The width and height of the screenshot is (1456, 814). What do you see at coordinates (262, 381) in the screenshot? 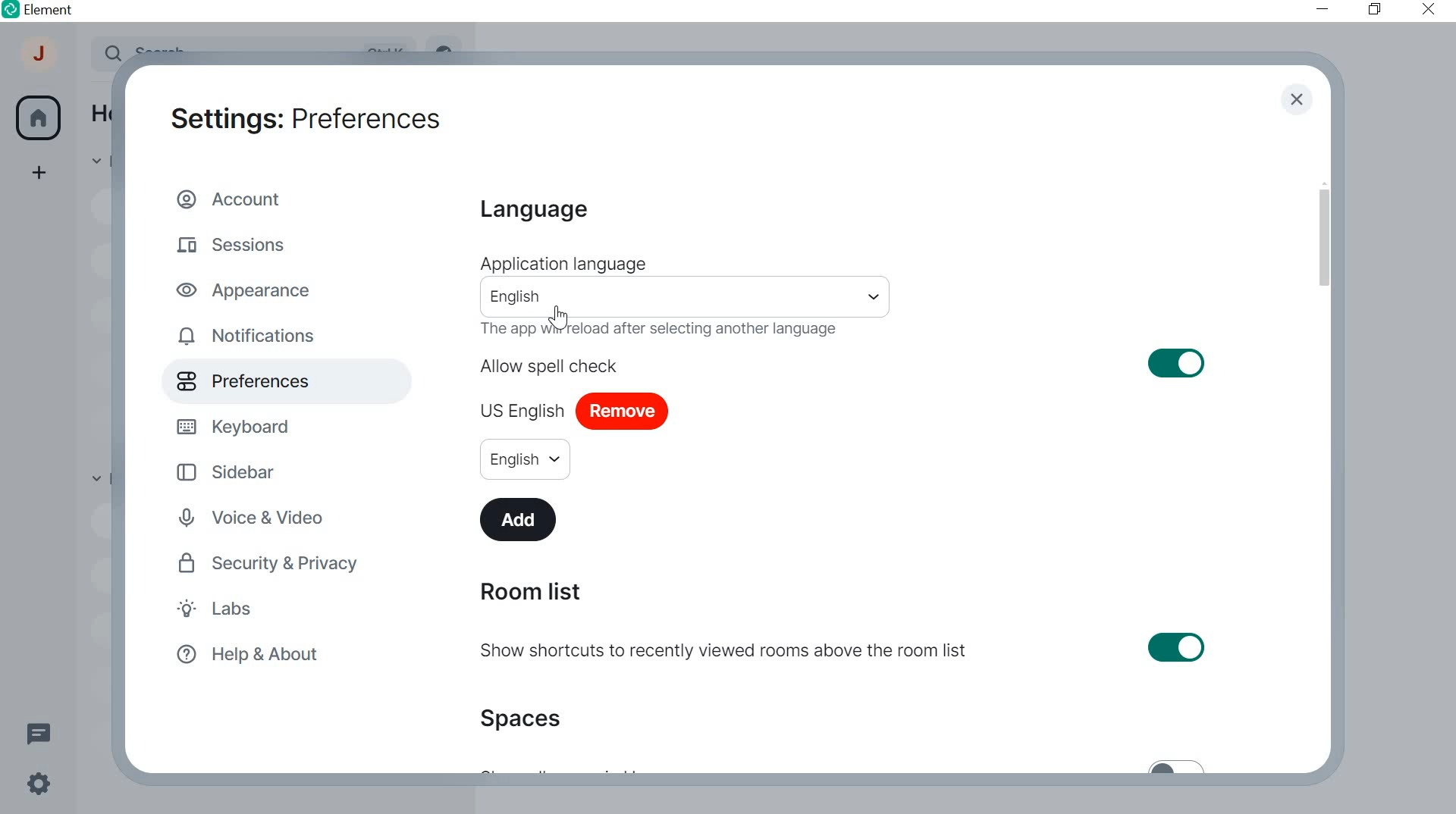
I see `PREFERENCES` at bounding box center [262, 381].